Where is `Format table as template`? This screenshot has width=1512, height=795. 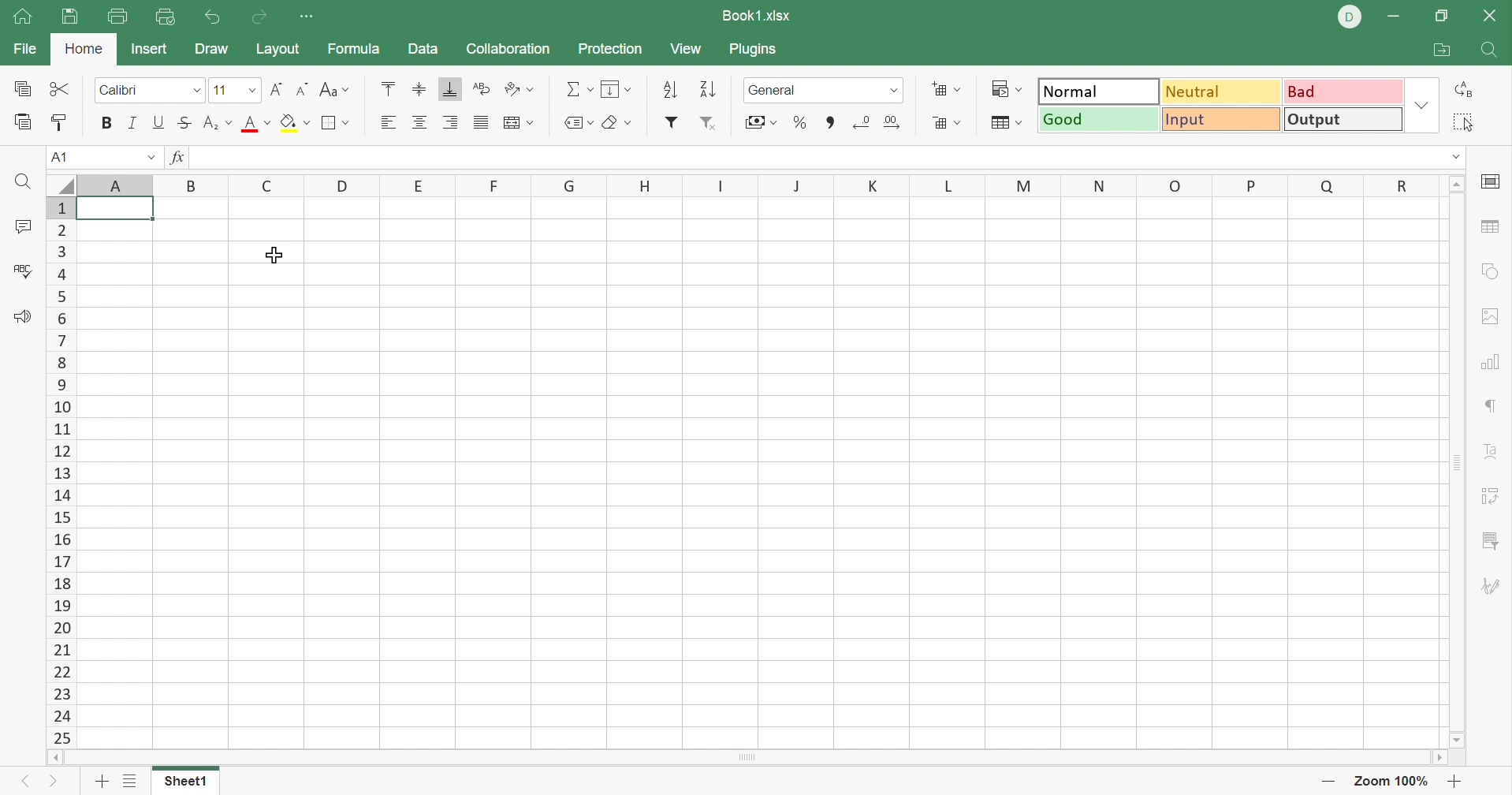
Format table as template is located at coordinates (1004, 125).